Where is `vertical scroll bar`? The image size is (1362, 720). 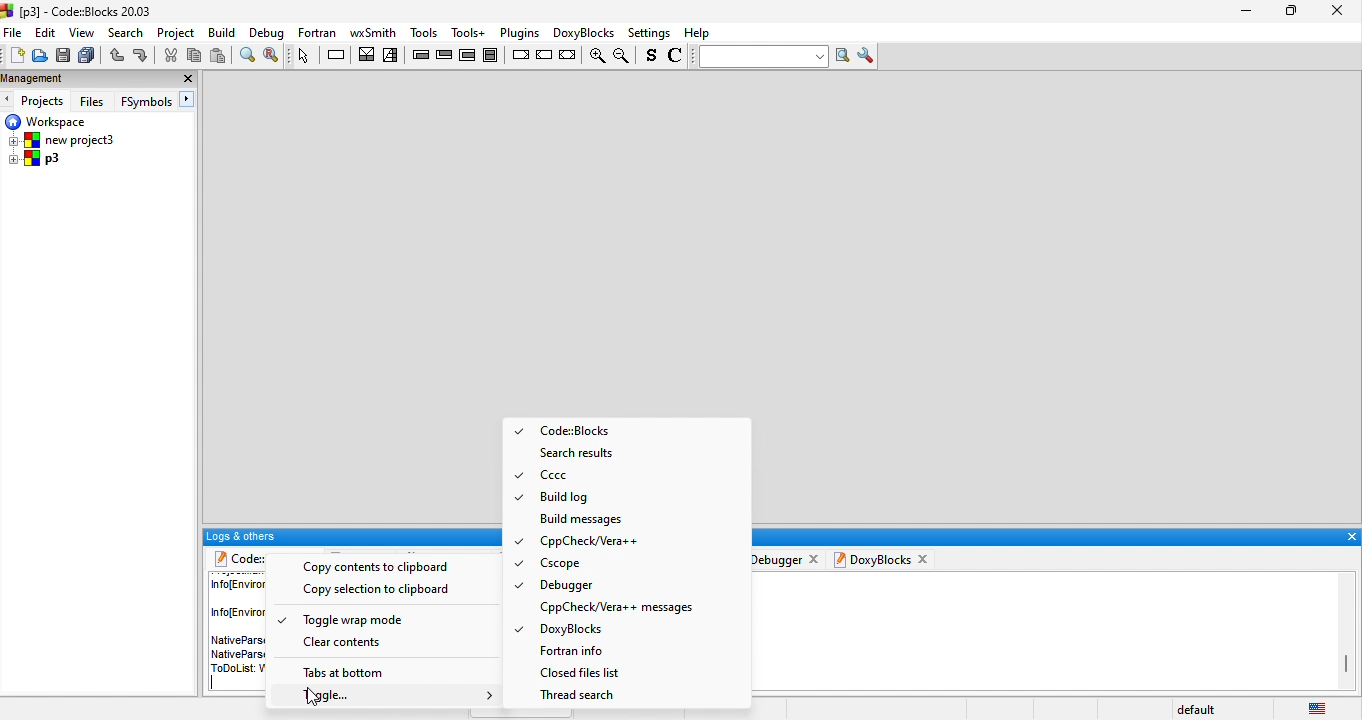
vertical scroll bar is located at coordinates (1345, 663).